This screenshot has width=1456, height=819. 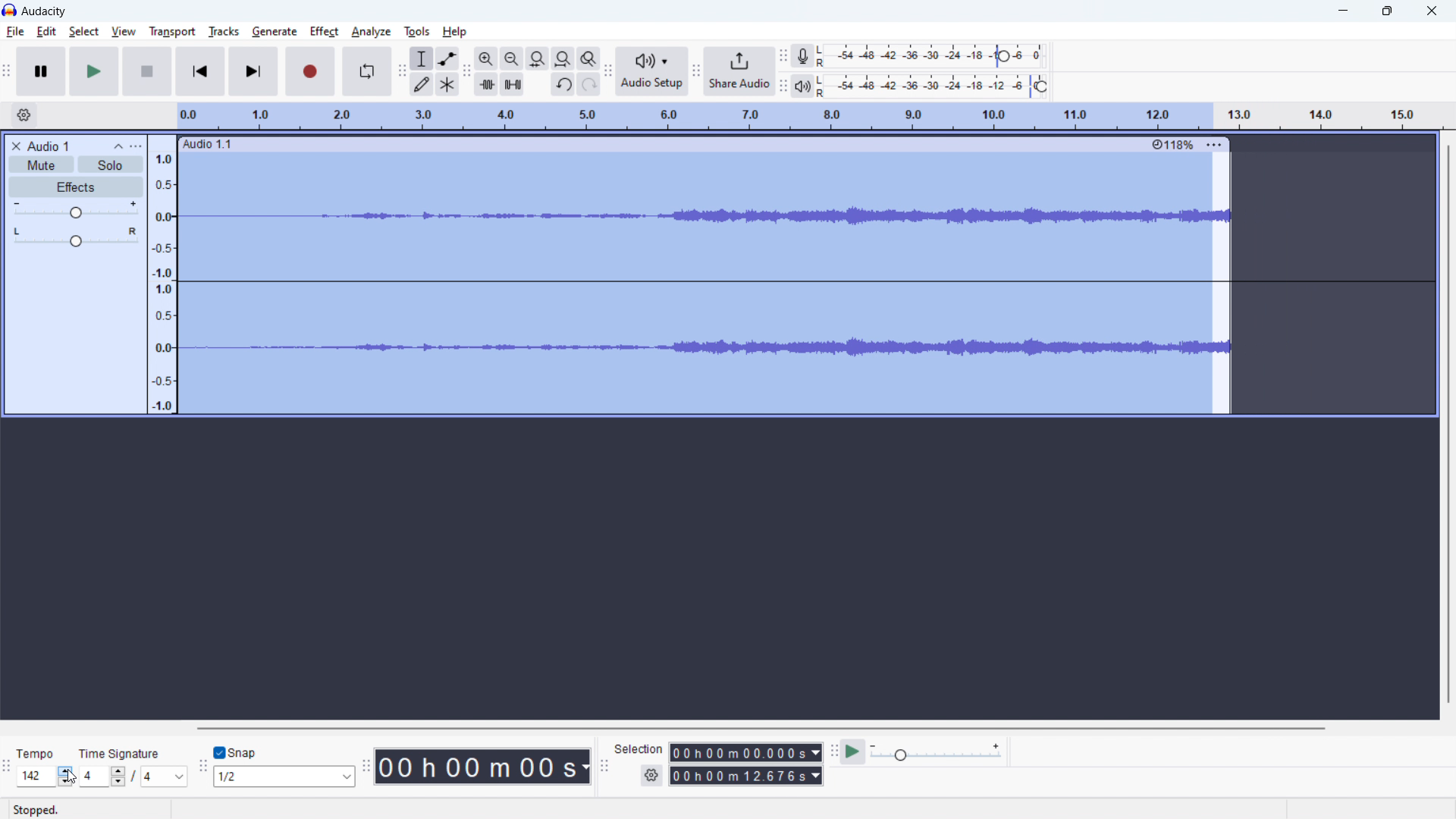 What do you see at coordinates (41, 71) in the screenshot?
I see `pause` at bounding box center [41, 71].